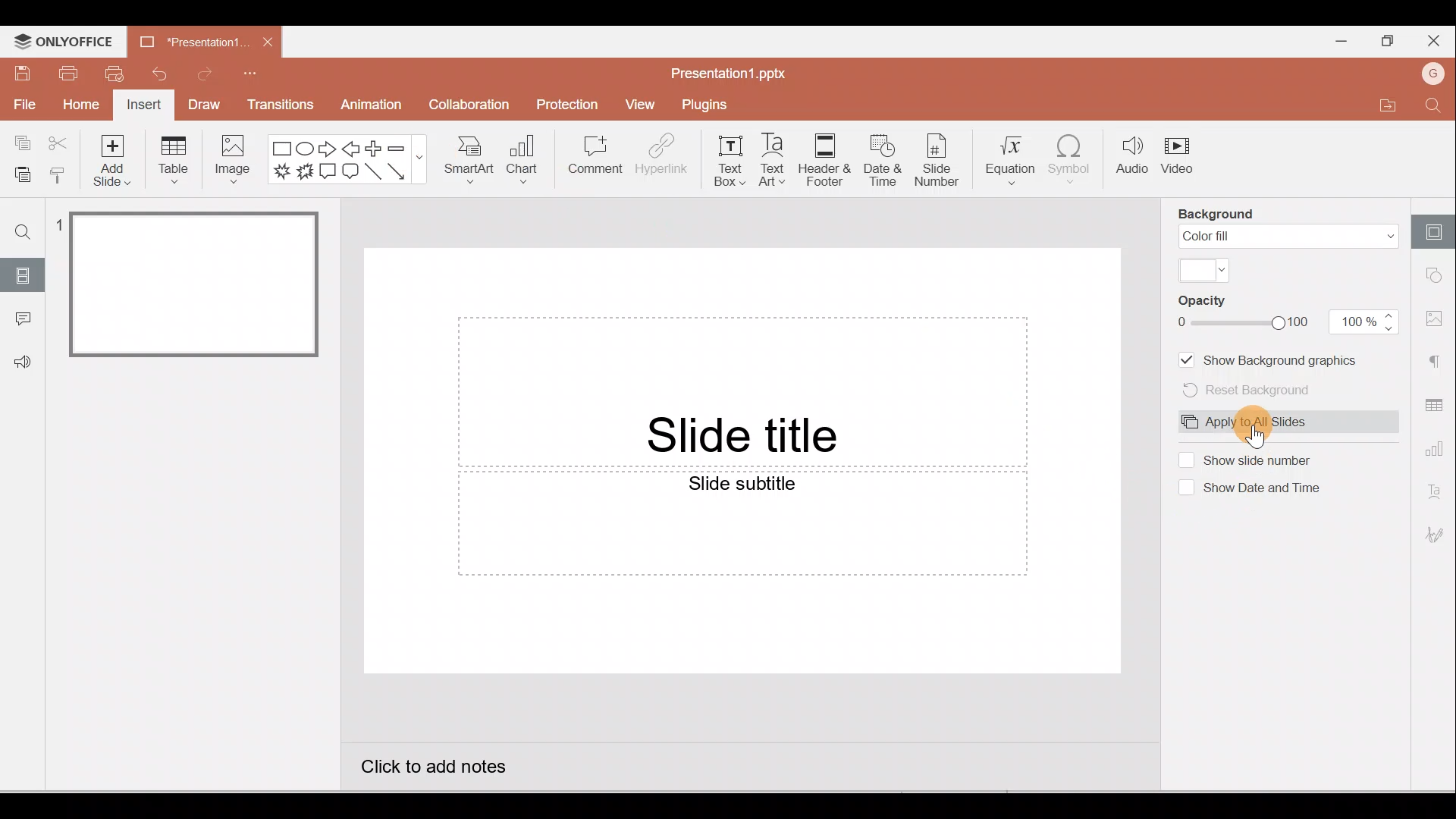 The image size is (1456, 819). What do you see at coordinates (19, 141) in the screenshot?
I see `Copy` at bounding box center [19, 141].